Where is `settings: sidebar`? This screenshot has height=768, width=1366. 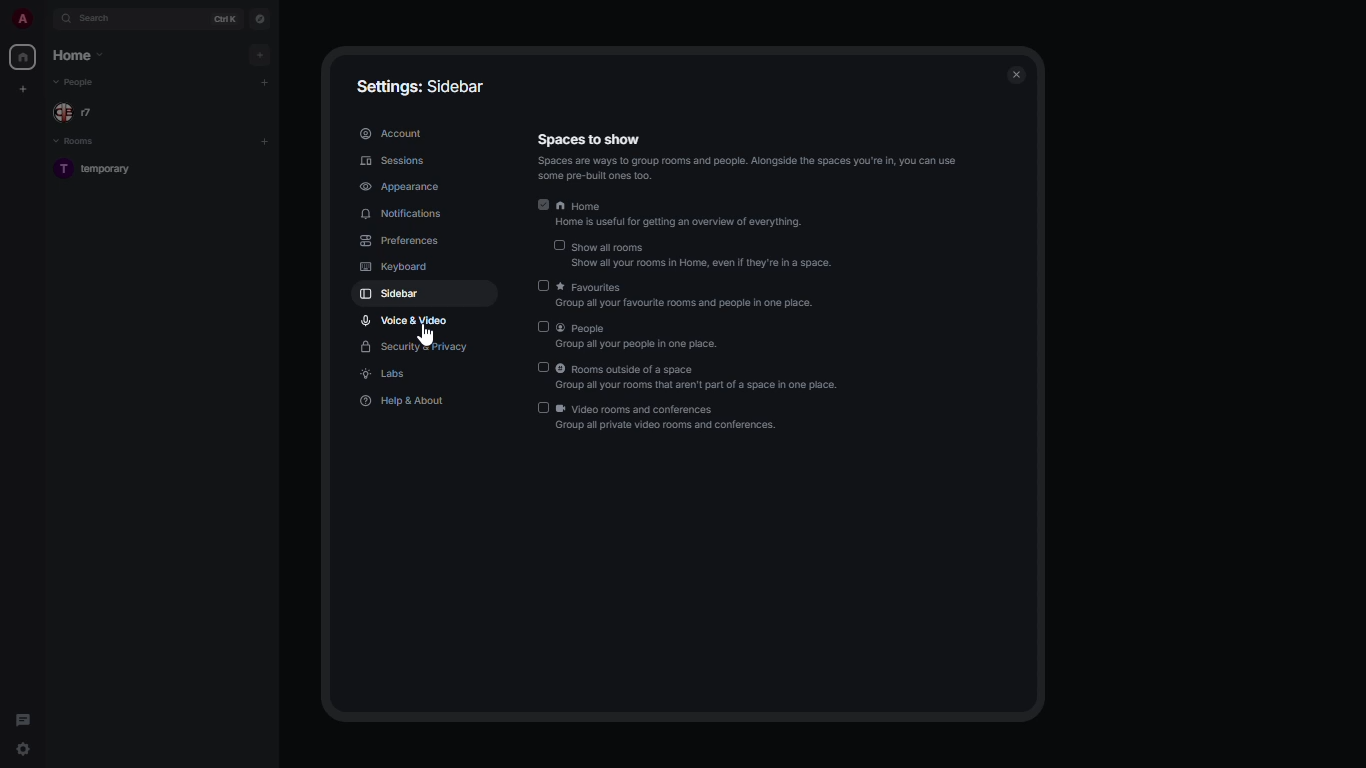
settings: sidebar is located at coordinates (421, 87).